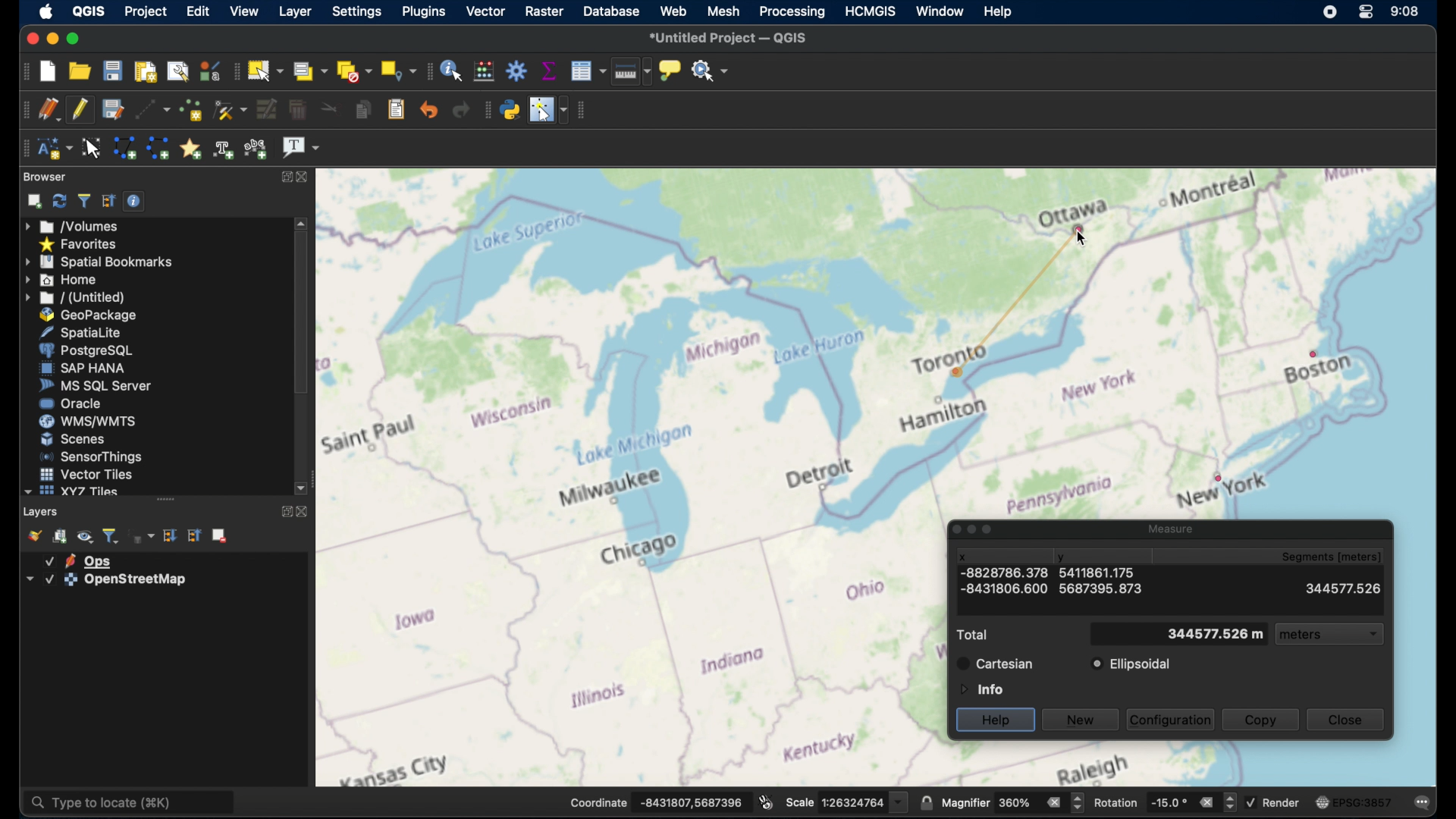  What do you see at coordinates (1089, 238) in the screenshot?
I see `cursor` at bounding box center [1089, 238].